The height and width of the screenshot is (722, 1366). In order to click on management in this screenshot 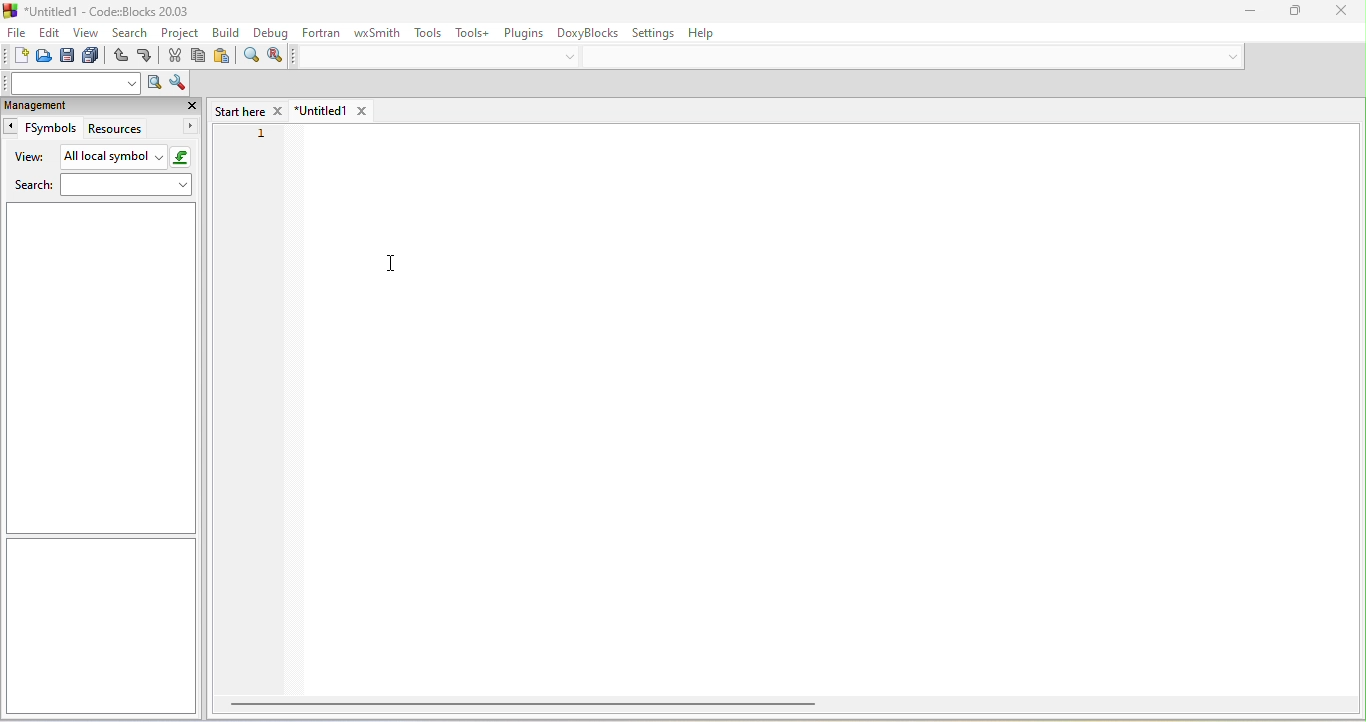, I will do `click(82, 106)`.